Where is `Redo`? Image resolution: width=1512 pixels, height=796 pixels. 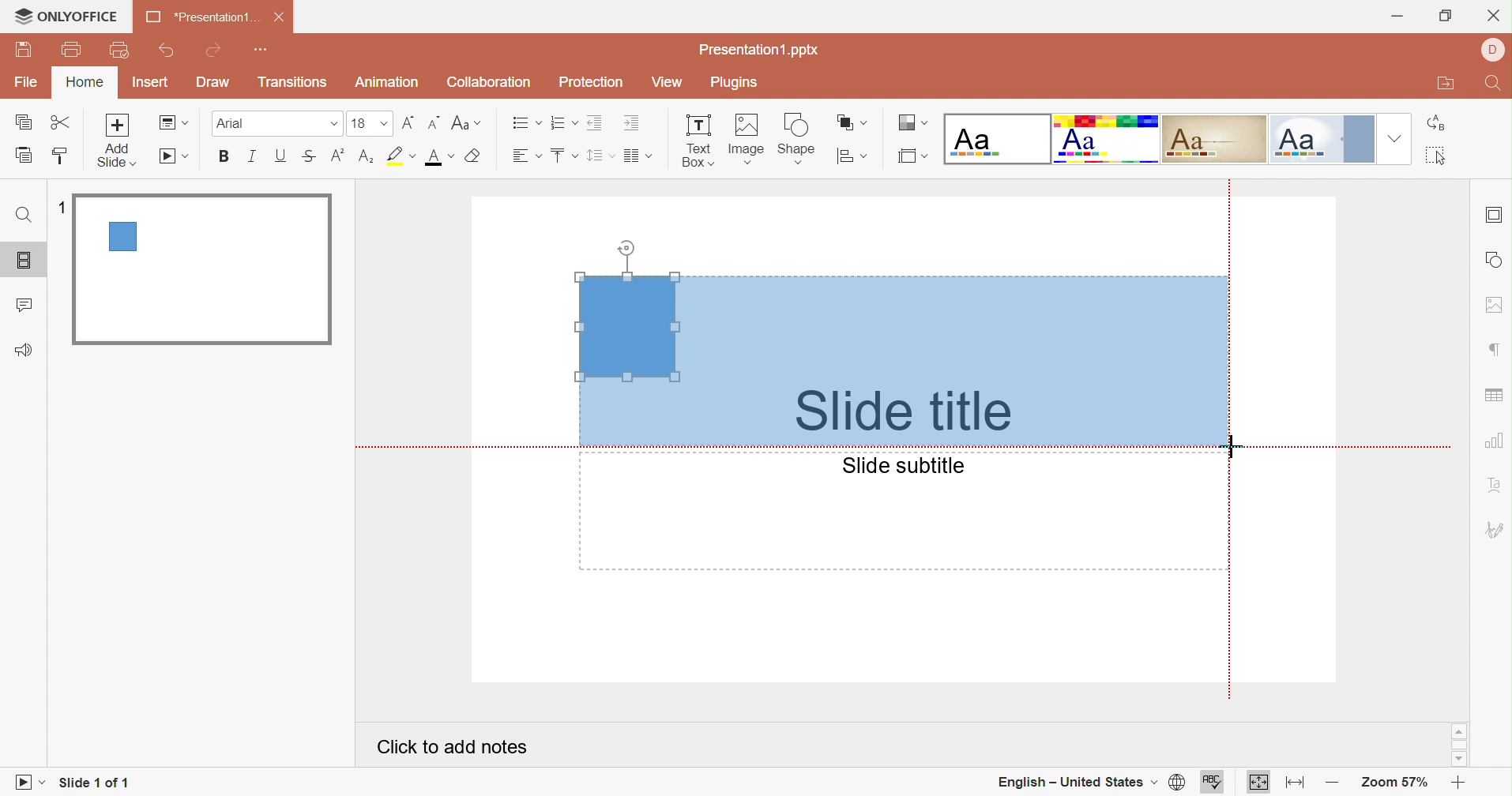 Redo is located at coordinates (215, 52).